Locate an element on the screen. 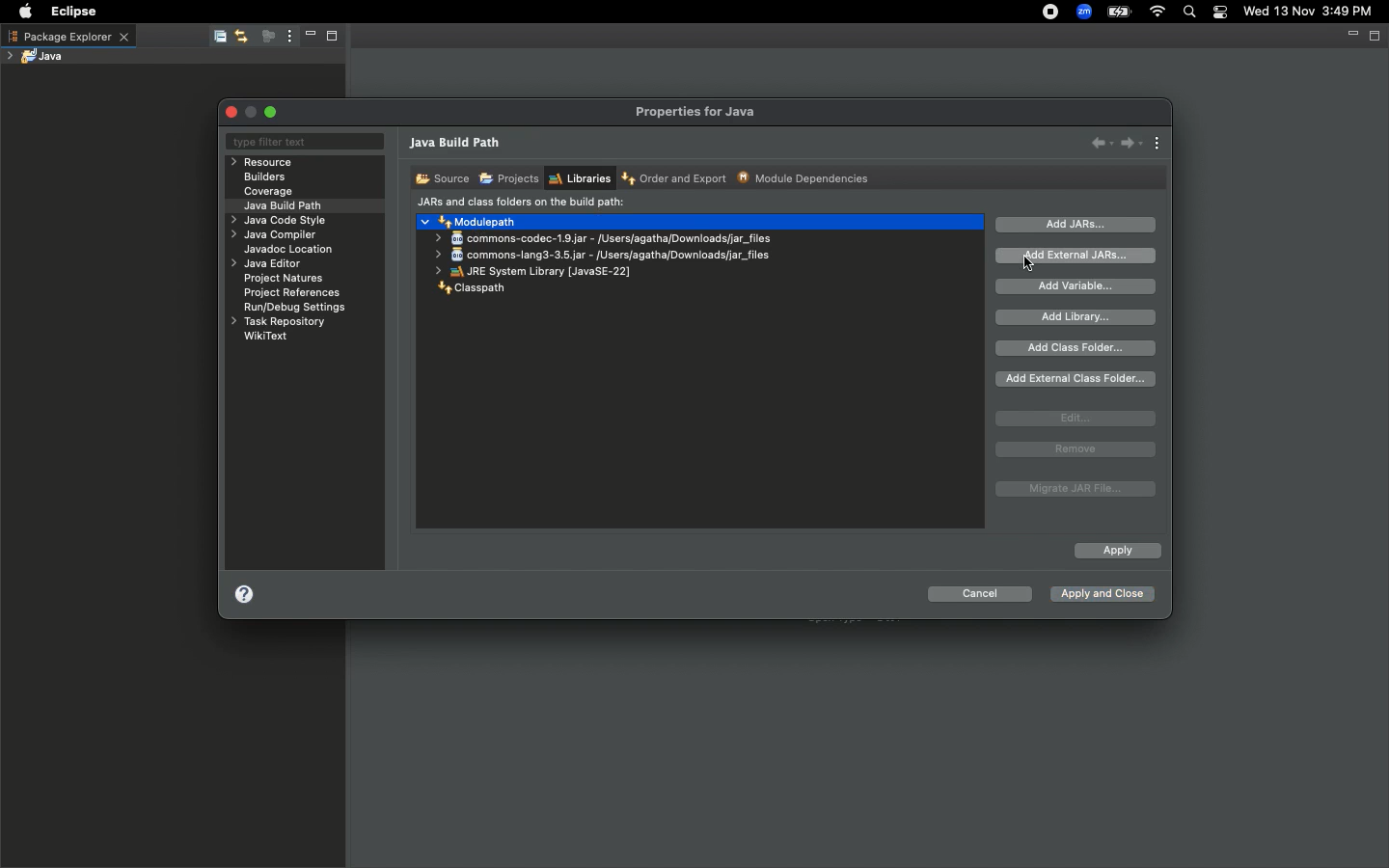 Image resolution: width=1389 pixels, height=868 pixels. Source is located at coordinates (440, 177).